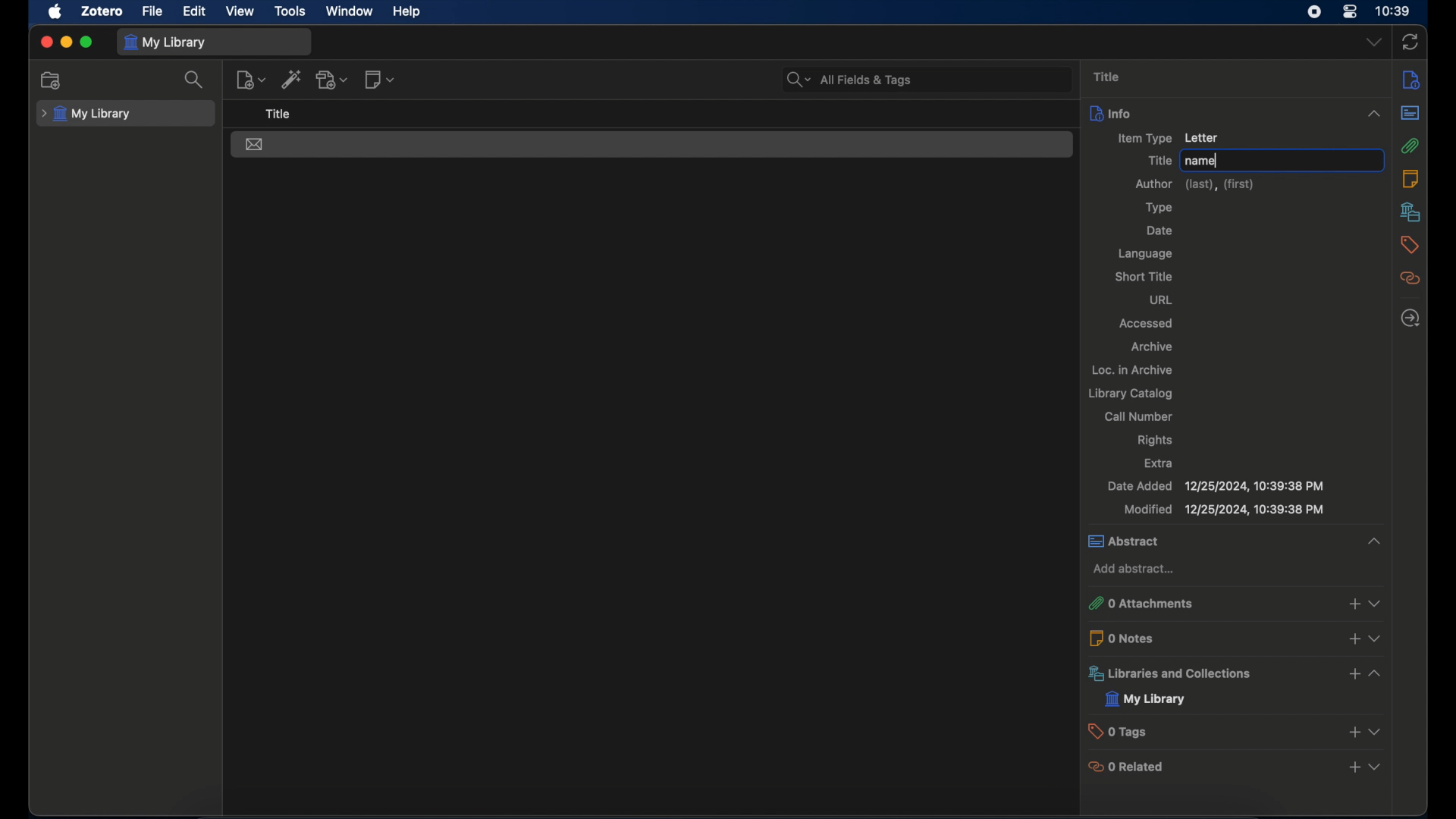 This screenshot has height=819, width=1456. I want to click on sync, so click(1411, 42).